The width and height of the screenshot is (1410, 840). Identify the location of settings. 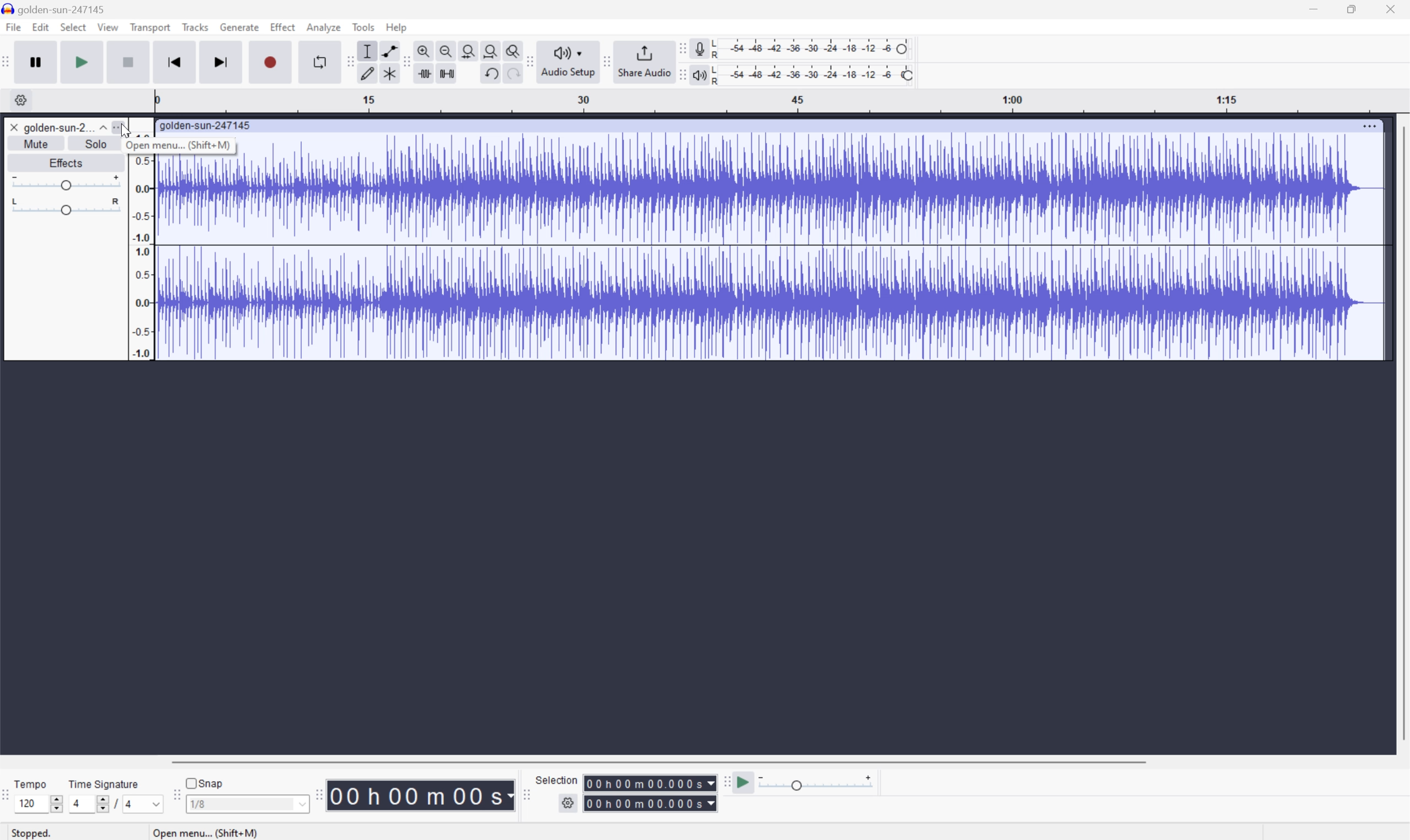
(569, 803).